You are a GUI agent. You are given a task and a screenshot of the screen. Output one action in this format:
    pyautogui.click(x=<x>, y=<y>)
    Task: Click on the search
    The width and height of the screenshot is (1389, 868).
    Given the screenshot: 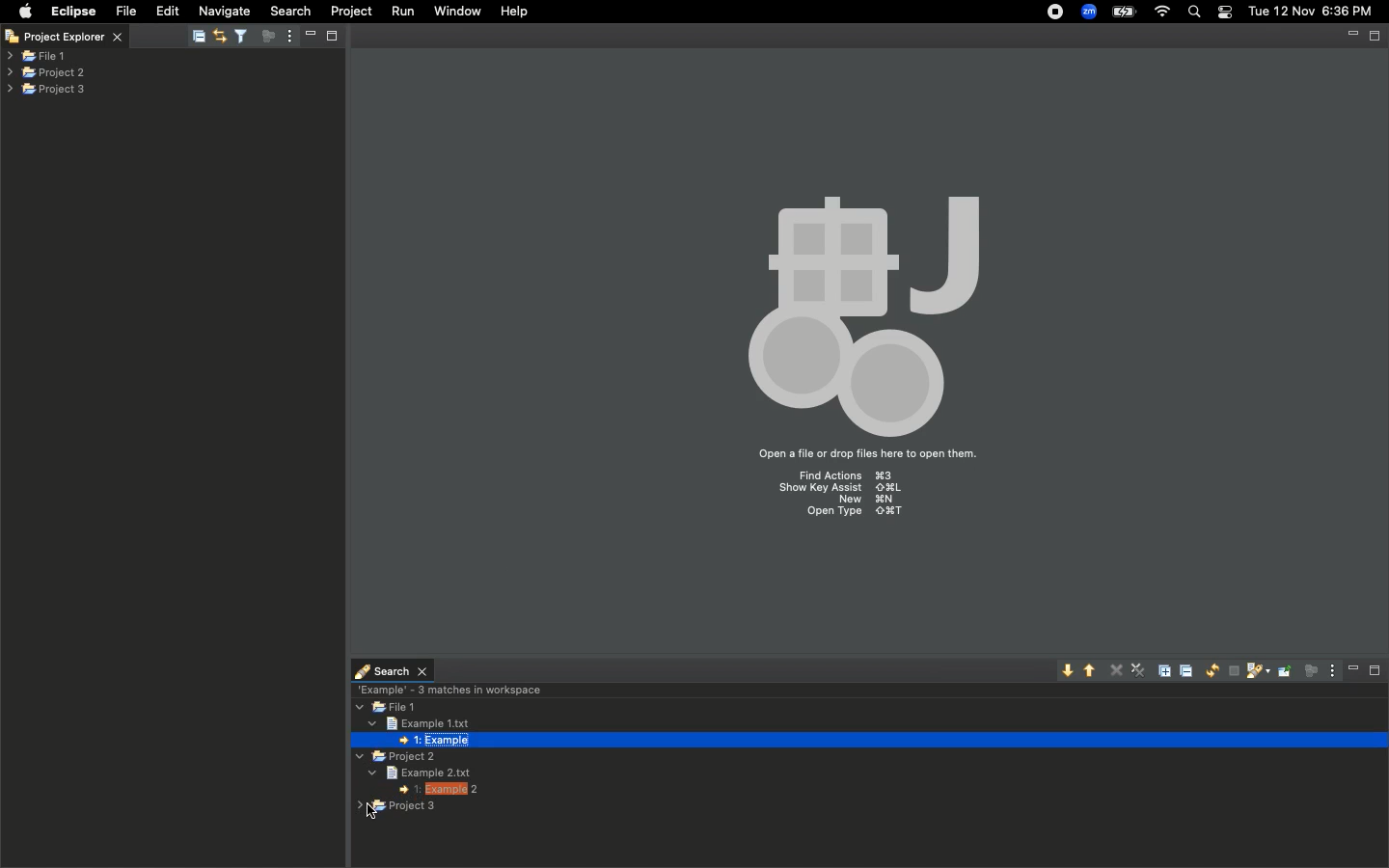 What is the action you would take?
    pyautogui.click(x=392, y=666)
    